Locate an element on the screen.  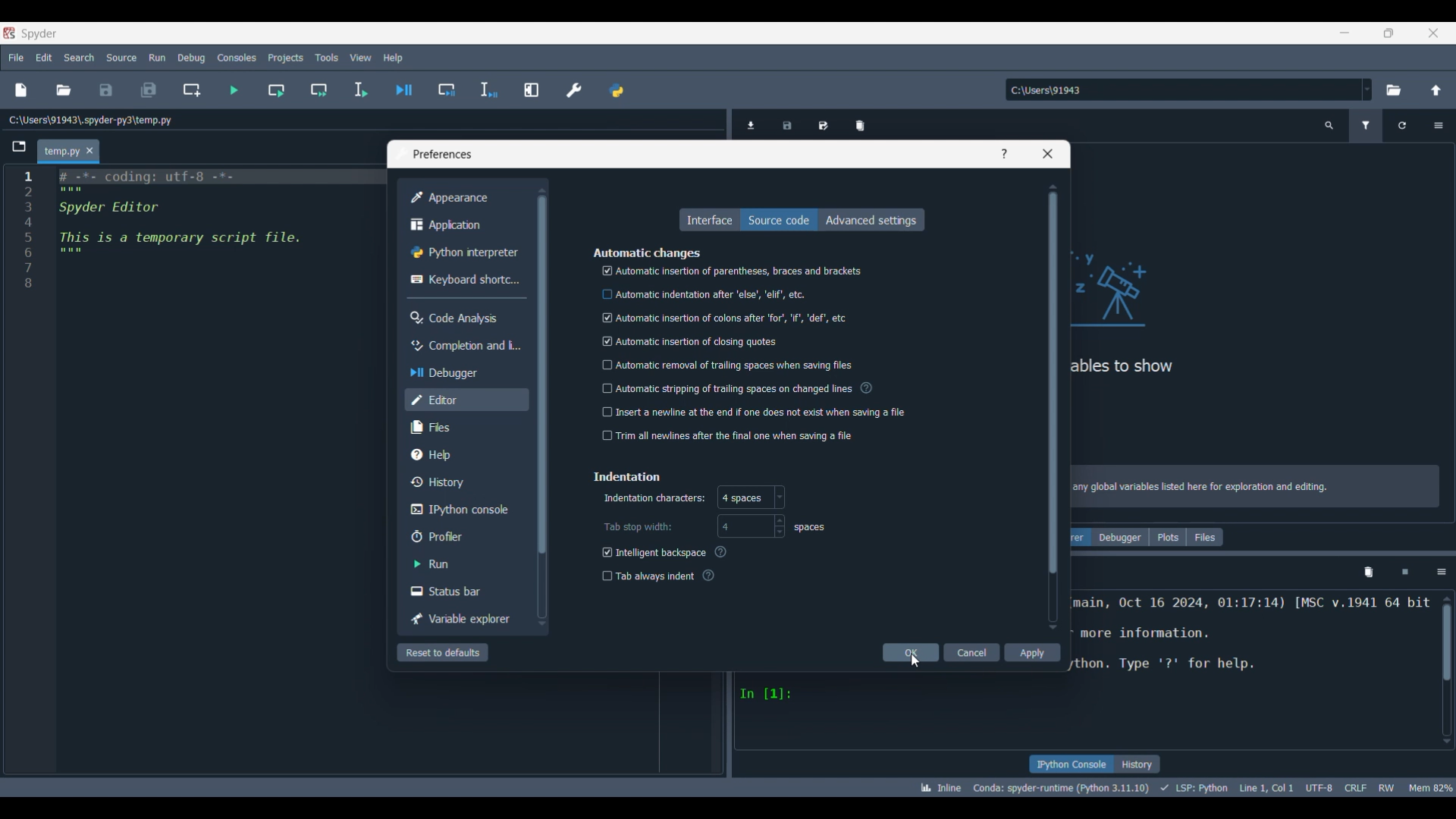
Code details is located at coordinates (1186, 788).